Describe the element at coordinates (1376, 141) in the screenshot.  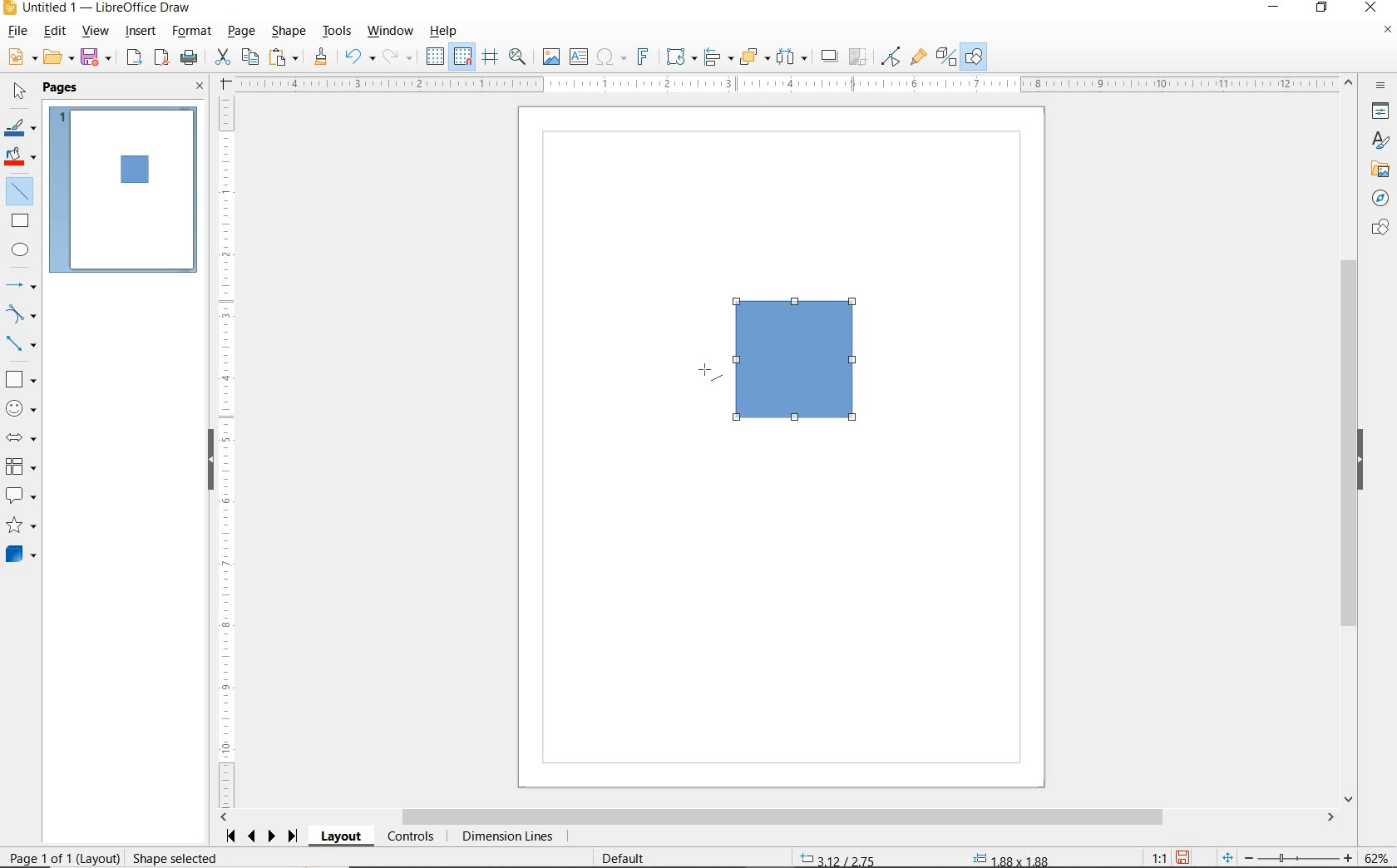
I see `STYLES` at that location.